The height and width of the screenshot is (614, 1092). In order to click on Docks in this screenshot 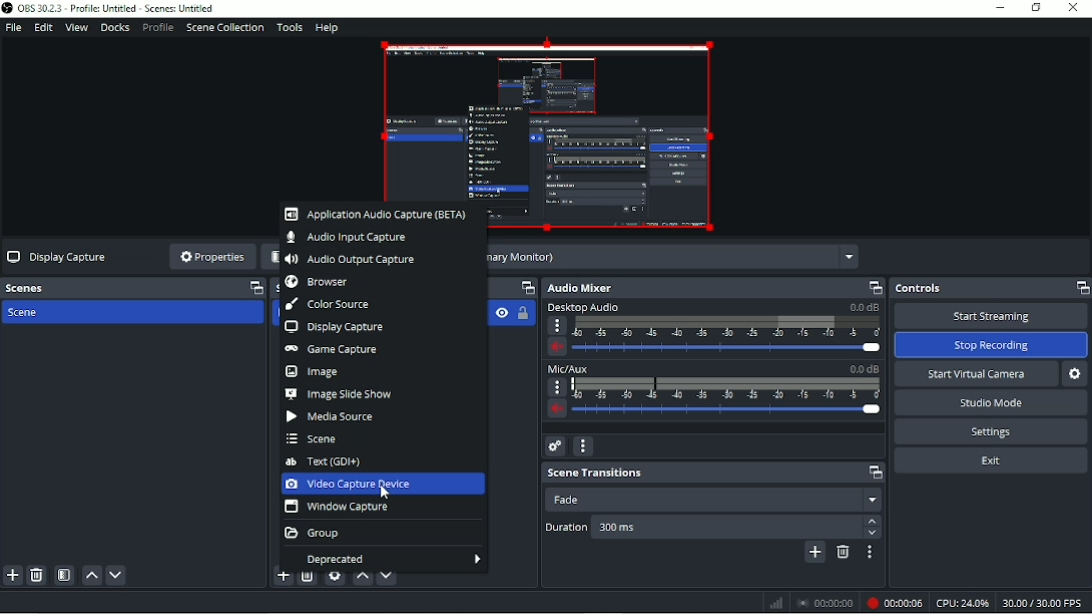, I will do `click(116, 28)`.